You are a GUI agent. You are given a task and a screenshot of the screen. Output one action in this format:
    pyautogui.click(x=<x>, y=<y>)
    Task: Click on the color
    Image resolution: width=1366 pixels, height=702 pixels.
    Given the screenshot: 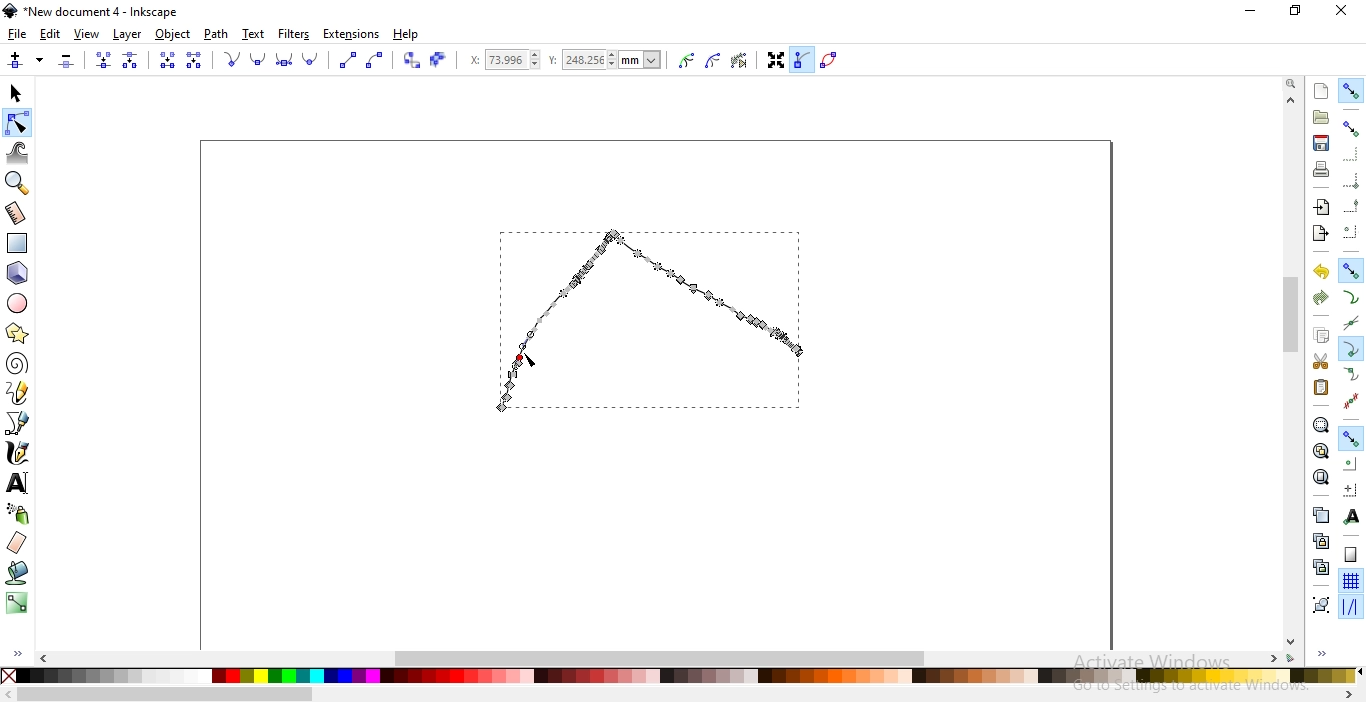 What is the action you would take?
    pyautogui.click(x=686, y=678)
    